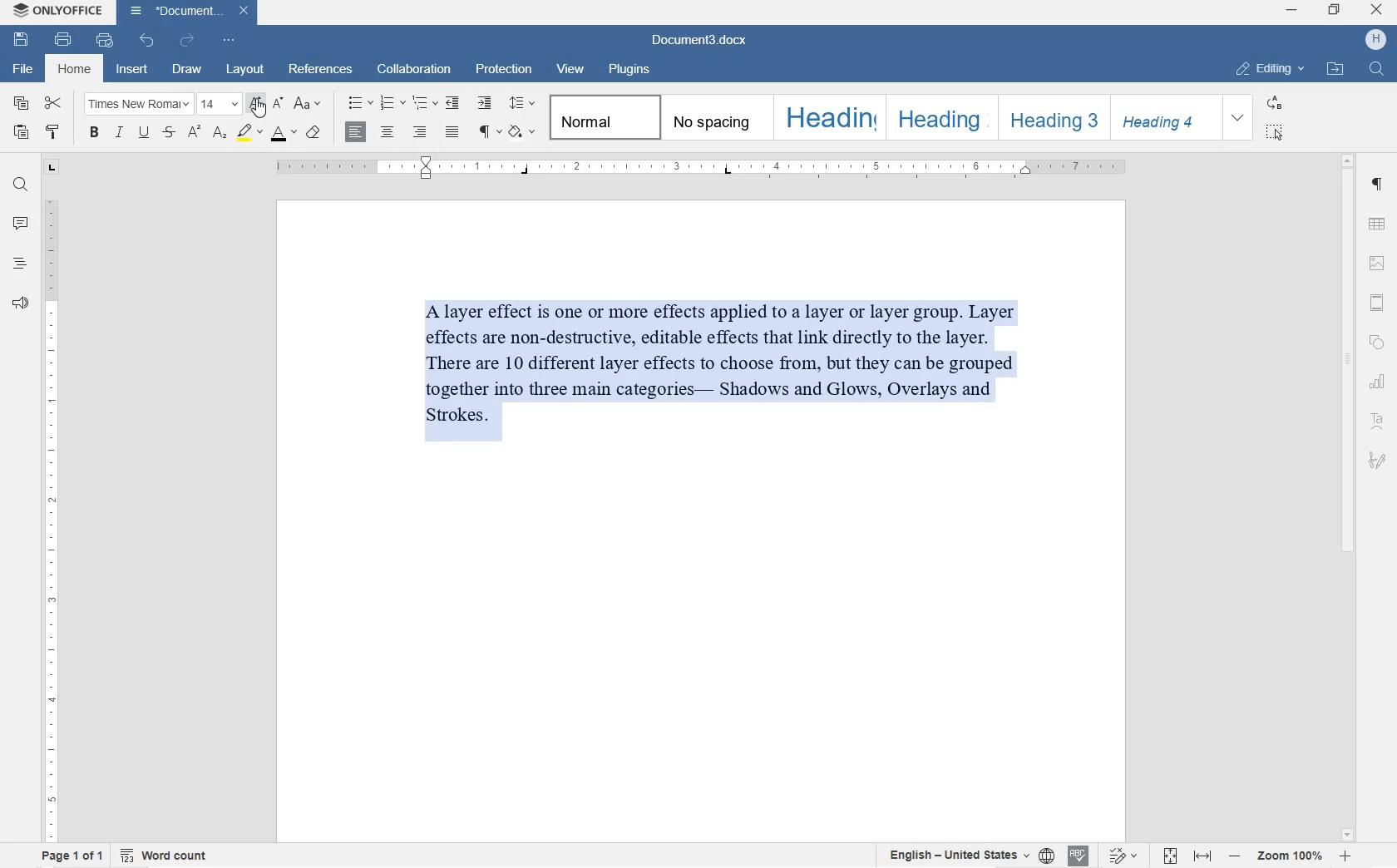 The image size is (1397, 868). I want to click on Multilevel list, so click(423, 104).